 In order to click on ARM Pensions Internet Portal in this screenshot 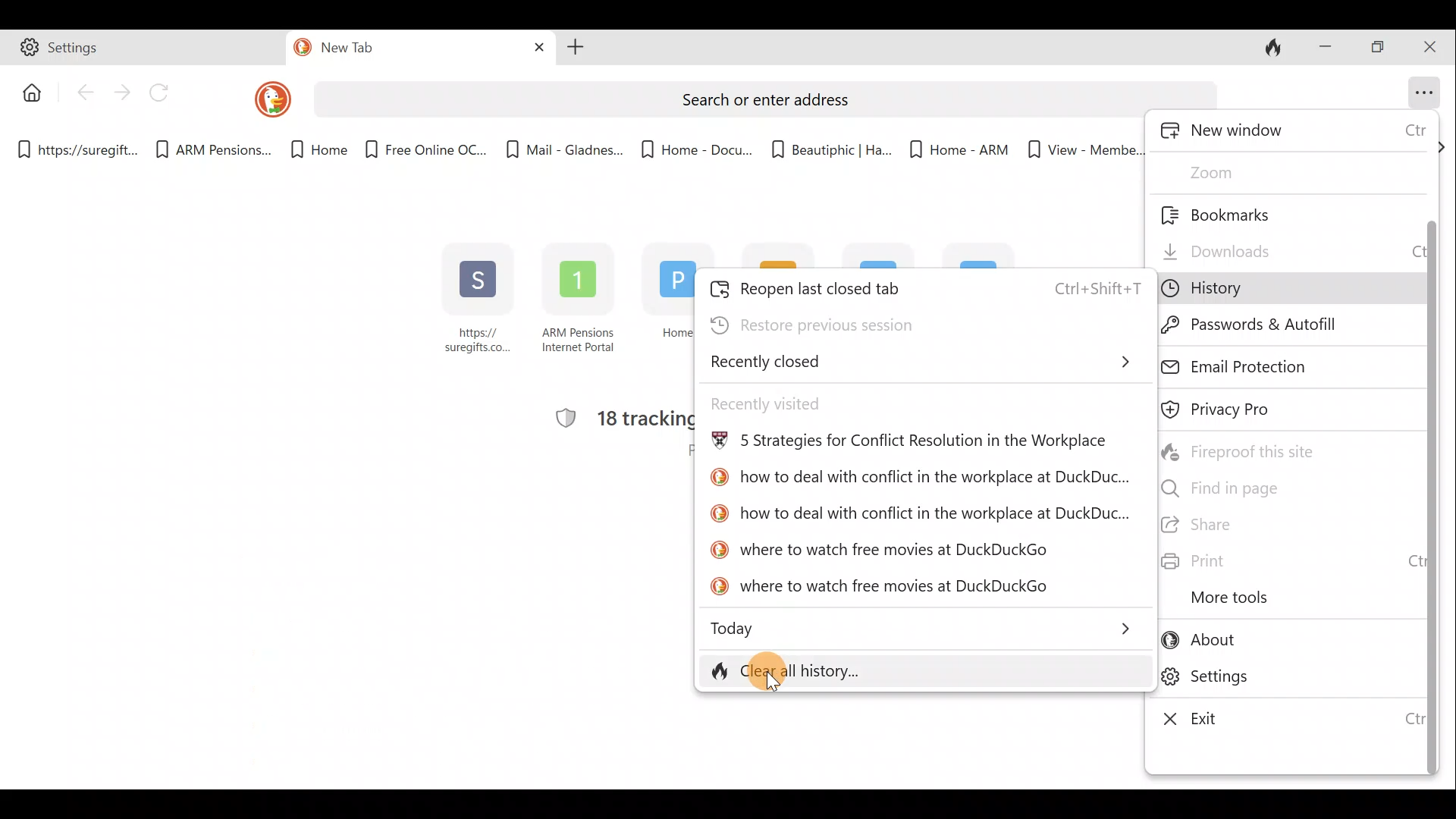, I will do `click(581, 303)`.